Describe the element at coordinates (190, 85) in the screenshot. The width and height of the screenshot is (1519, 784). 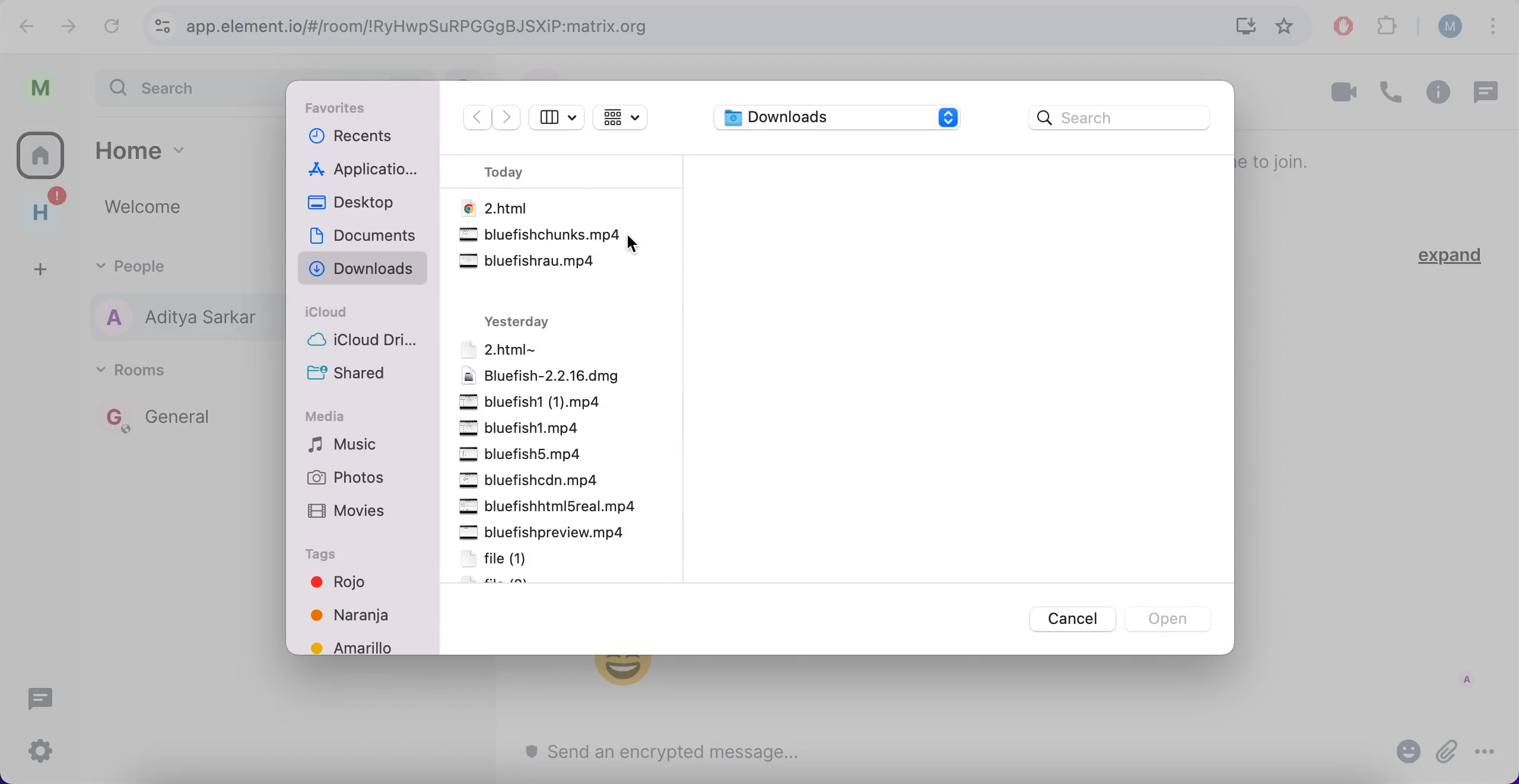
I see `search` at that location.